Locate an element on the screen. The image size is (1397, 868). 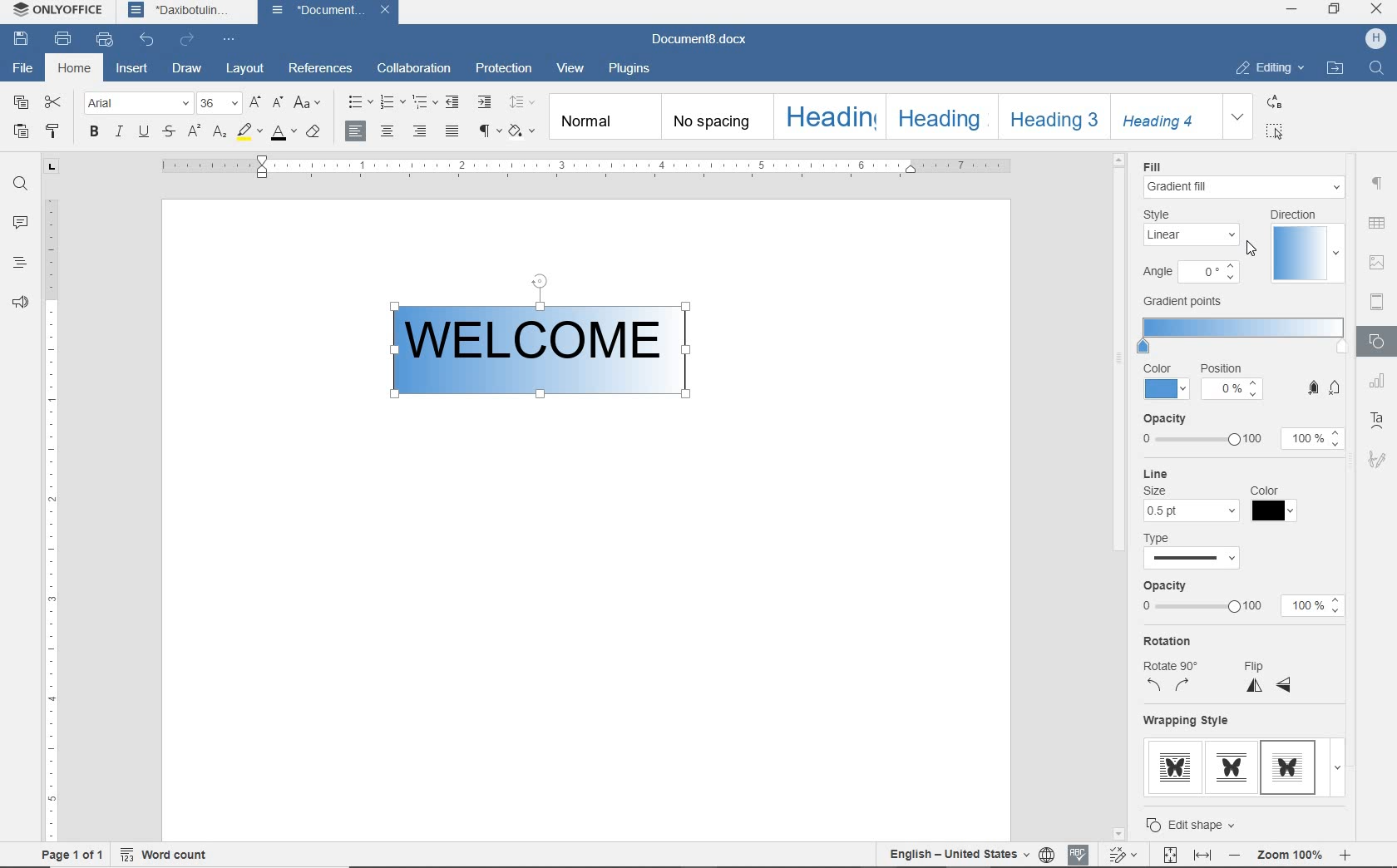
ITALIC is located at coordinates (118, 131).